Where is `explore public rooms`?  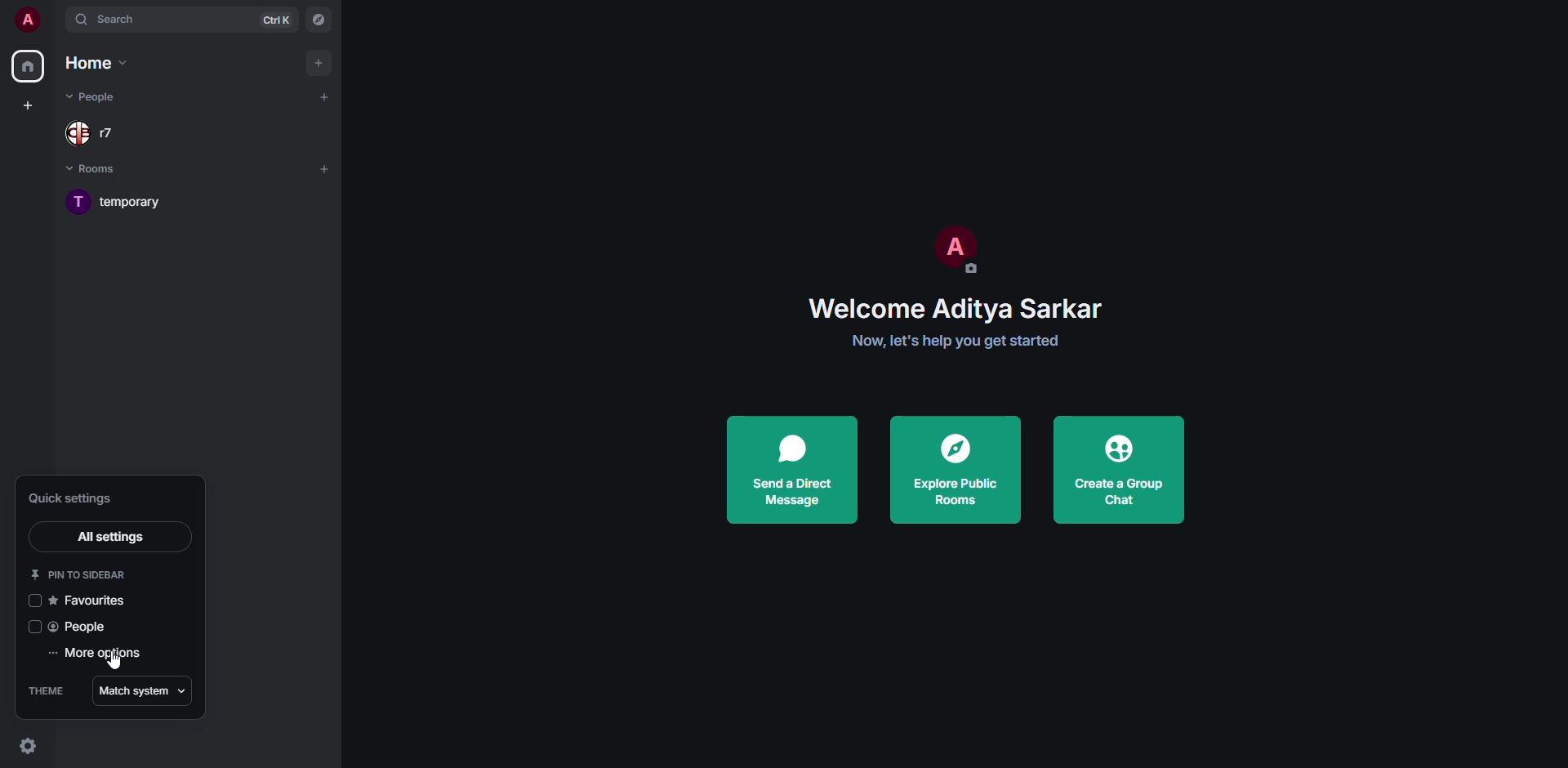
explore public rooms is located at coordinates (954, 471).